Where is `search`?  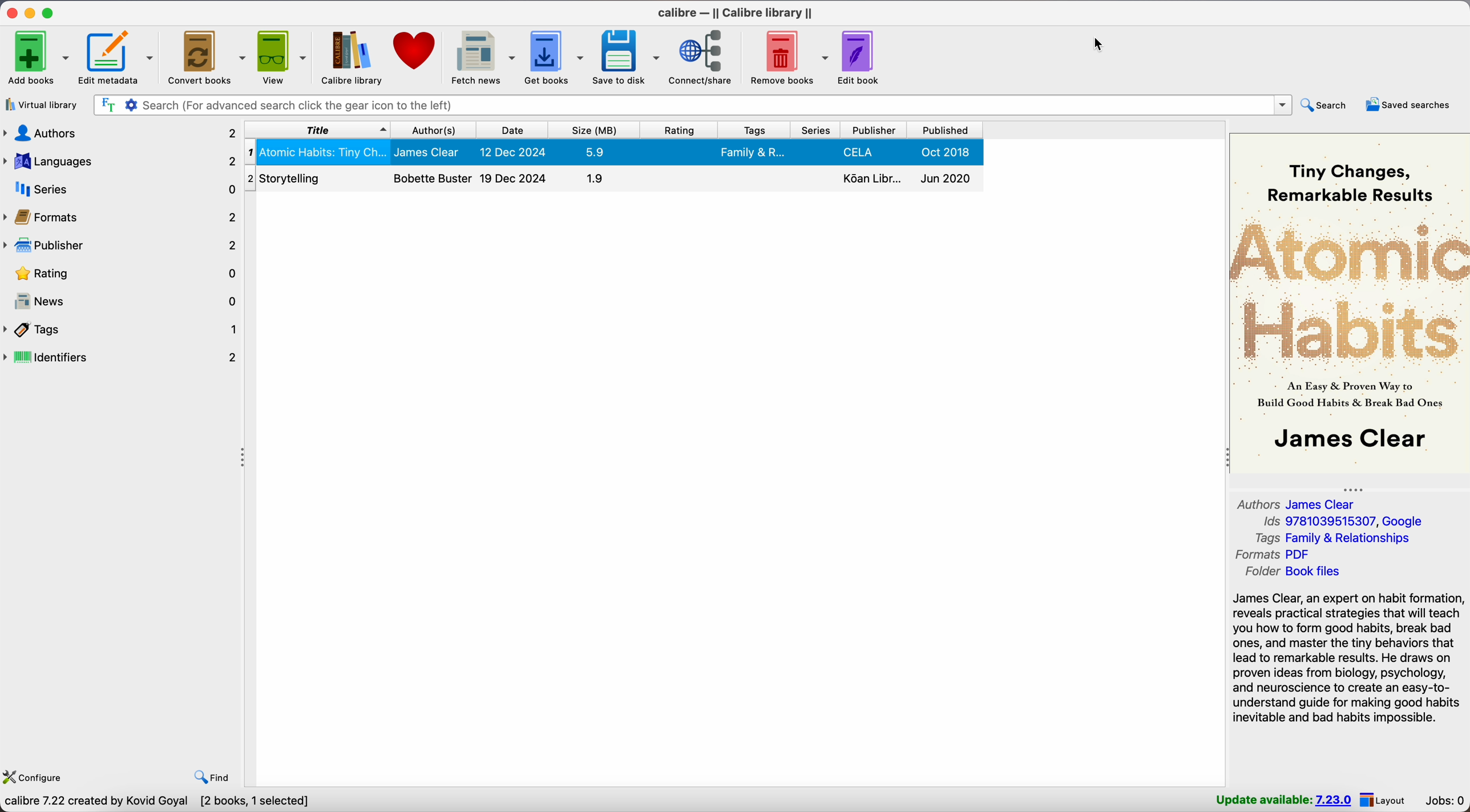
search is located at coordinates (1327, 104).